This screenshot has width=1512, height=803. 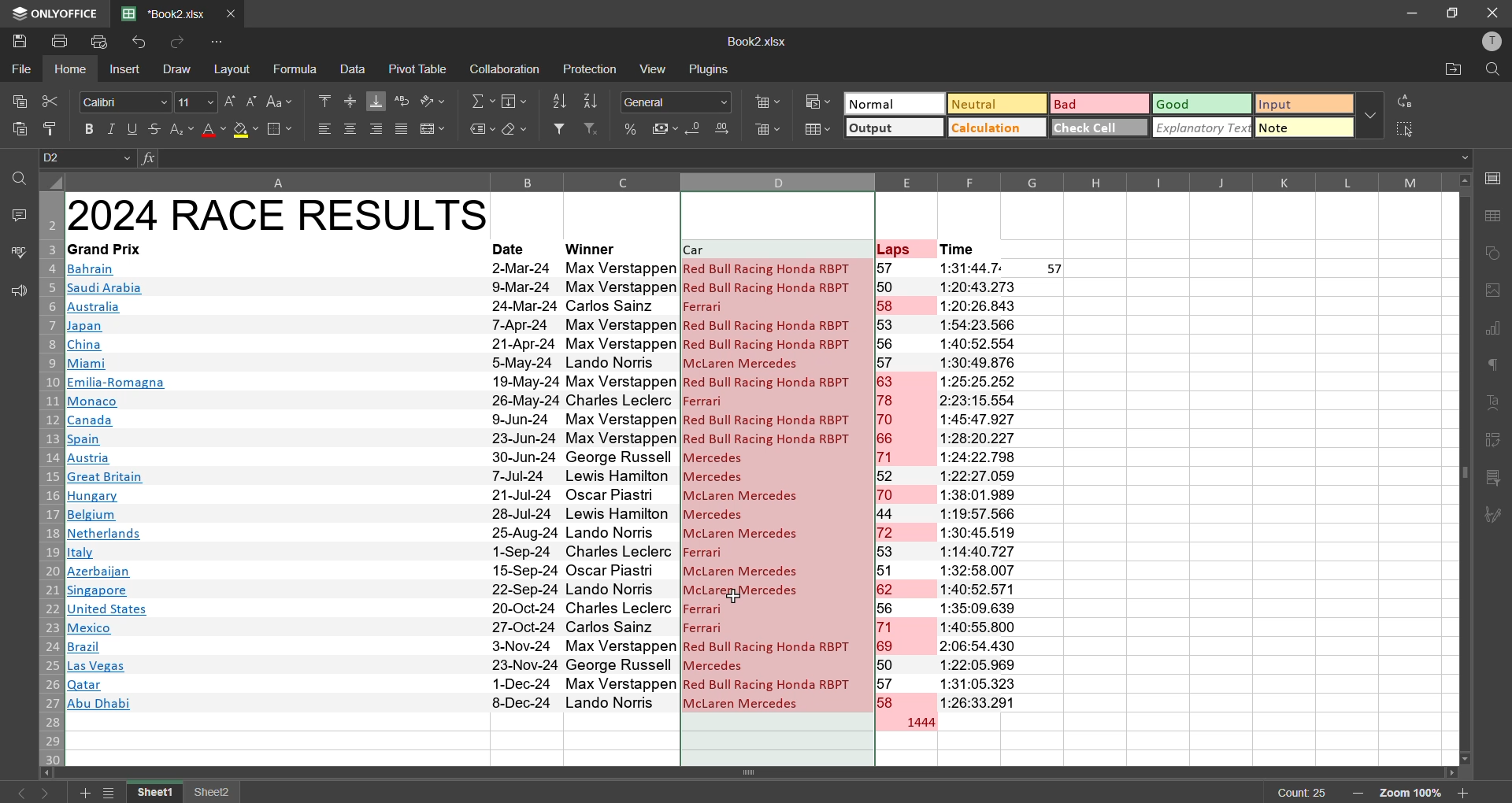 I want to click on sheet  name, so click(x=213, y=794).